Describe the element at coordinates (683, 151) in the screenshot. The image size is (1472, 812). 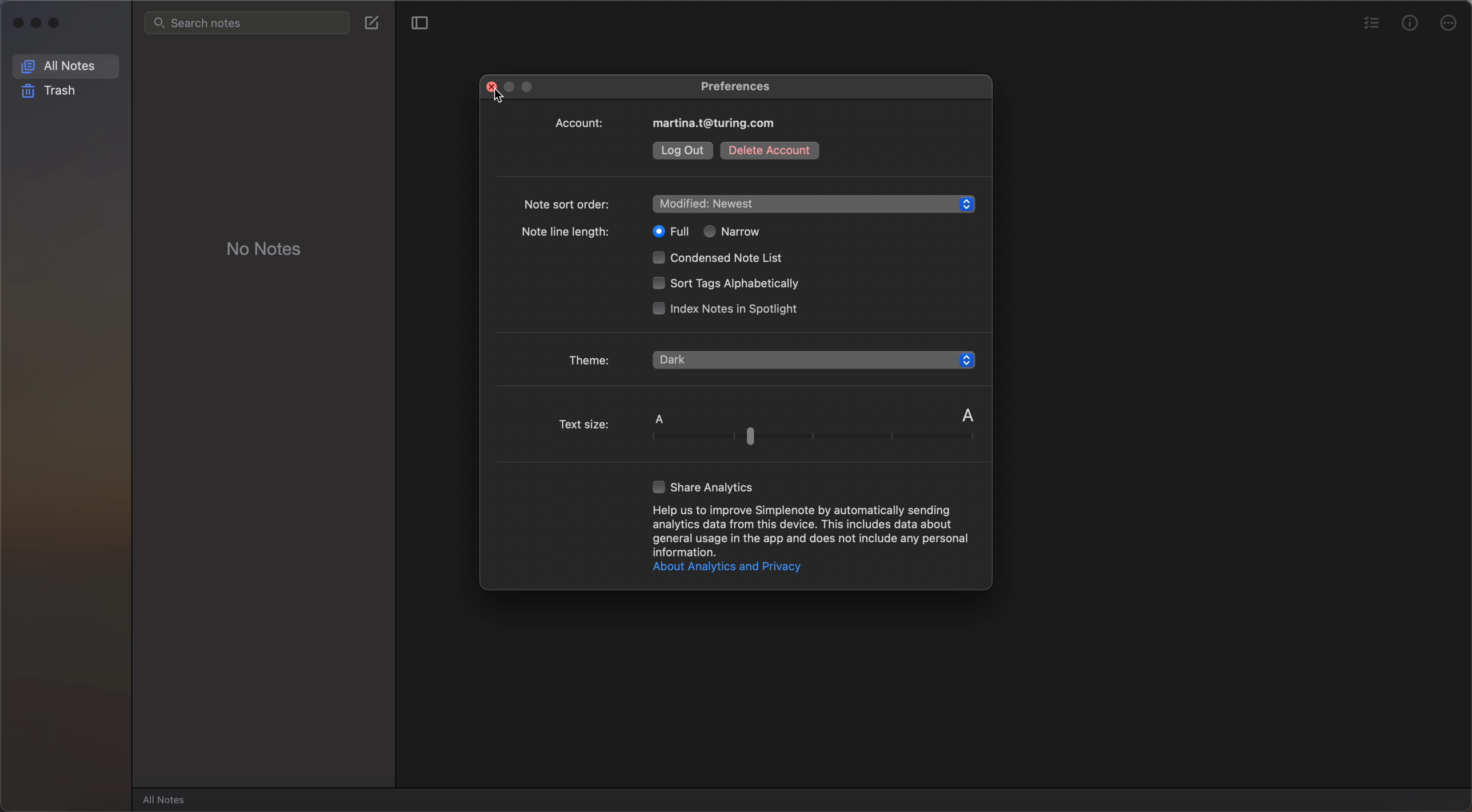
I see `log out` at that location.